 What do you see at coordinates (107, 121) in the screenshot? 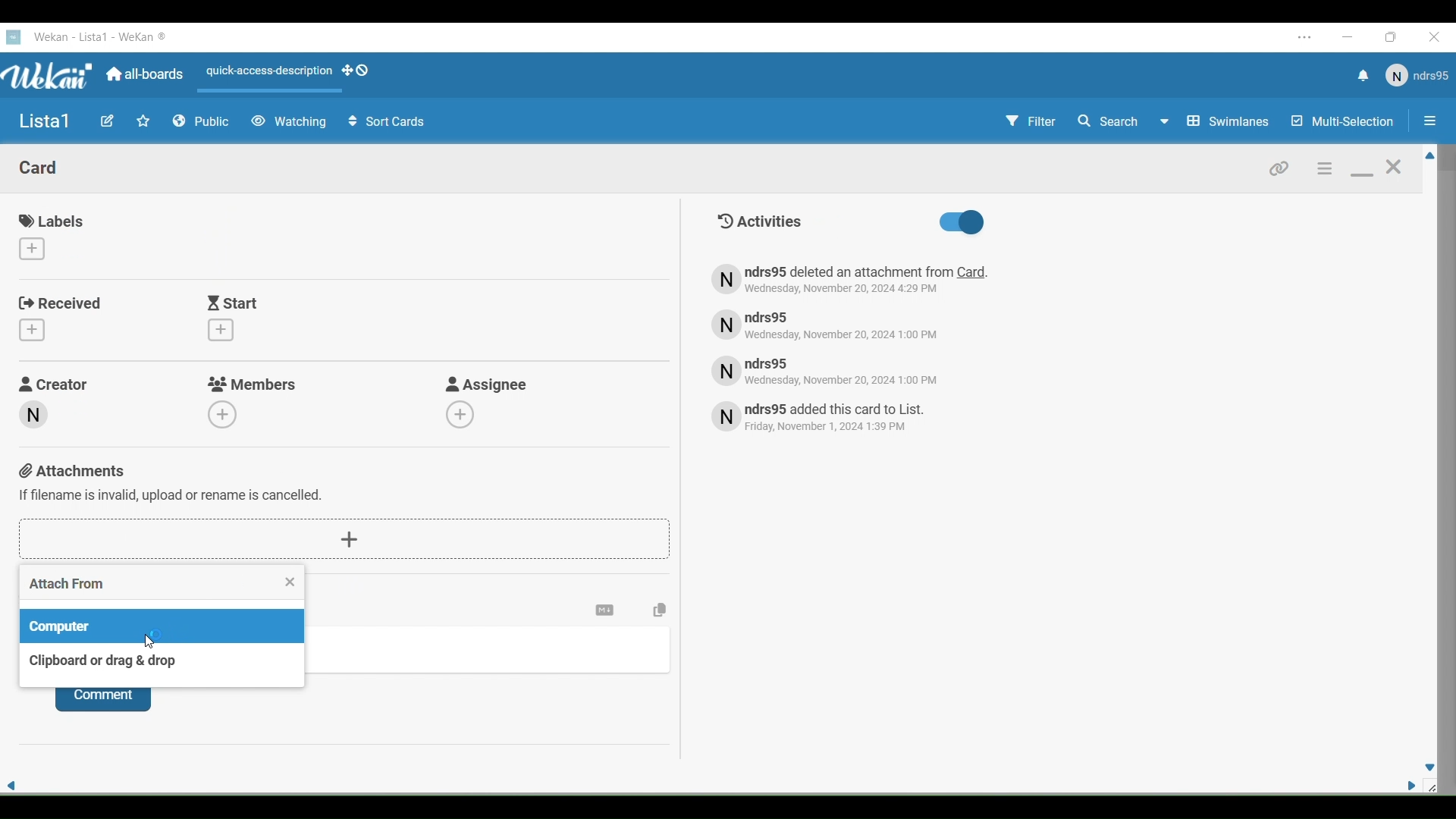
I see `Edit` at bounding box center [107, 121].